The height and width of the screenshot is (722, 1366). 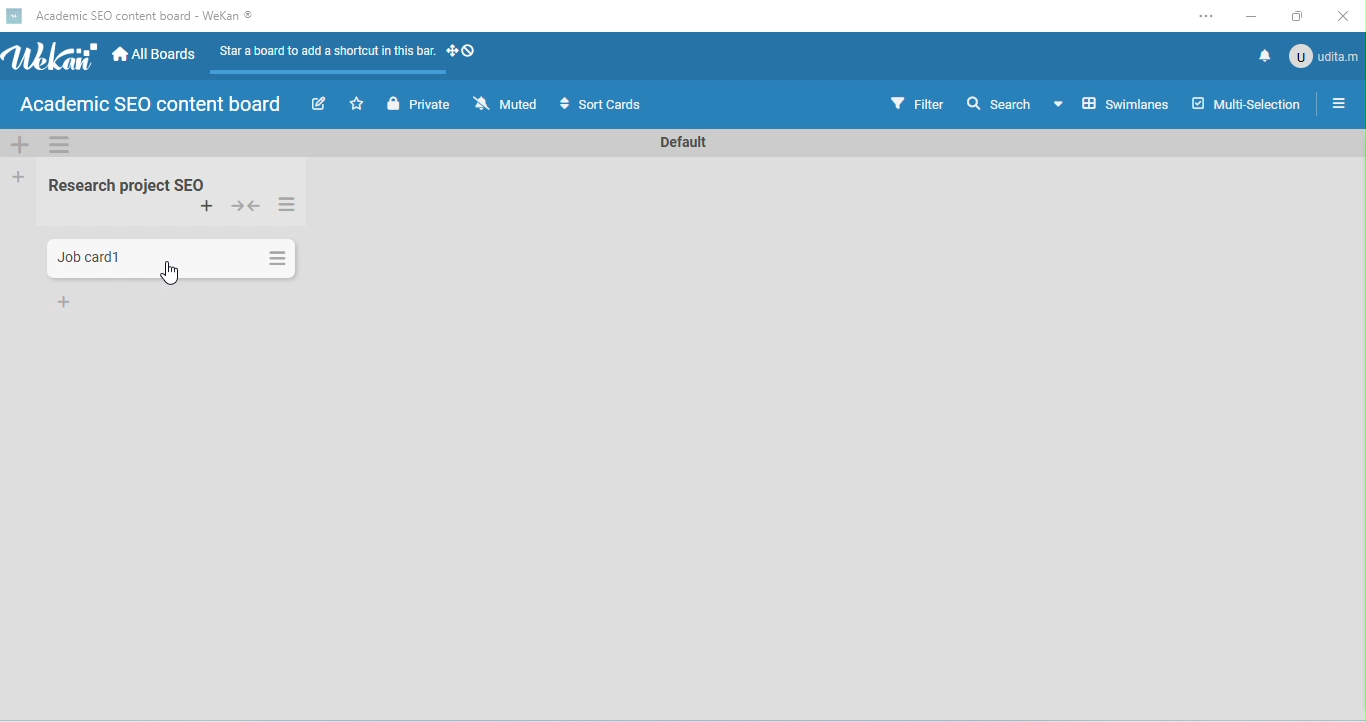 What do you see at coordinates (422, 104) in the screenshot?
I see `private` at bounding box center [422, 104].